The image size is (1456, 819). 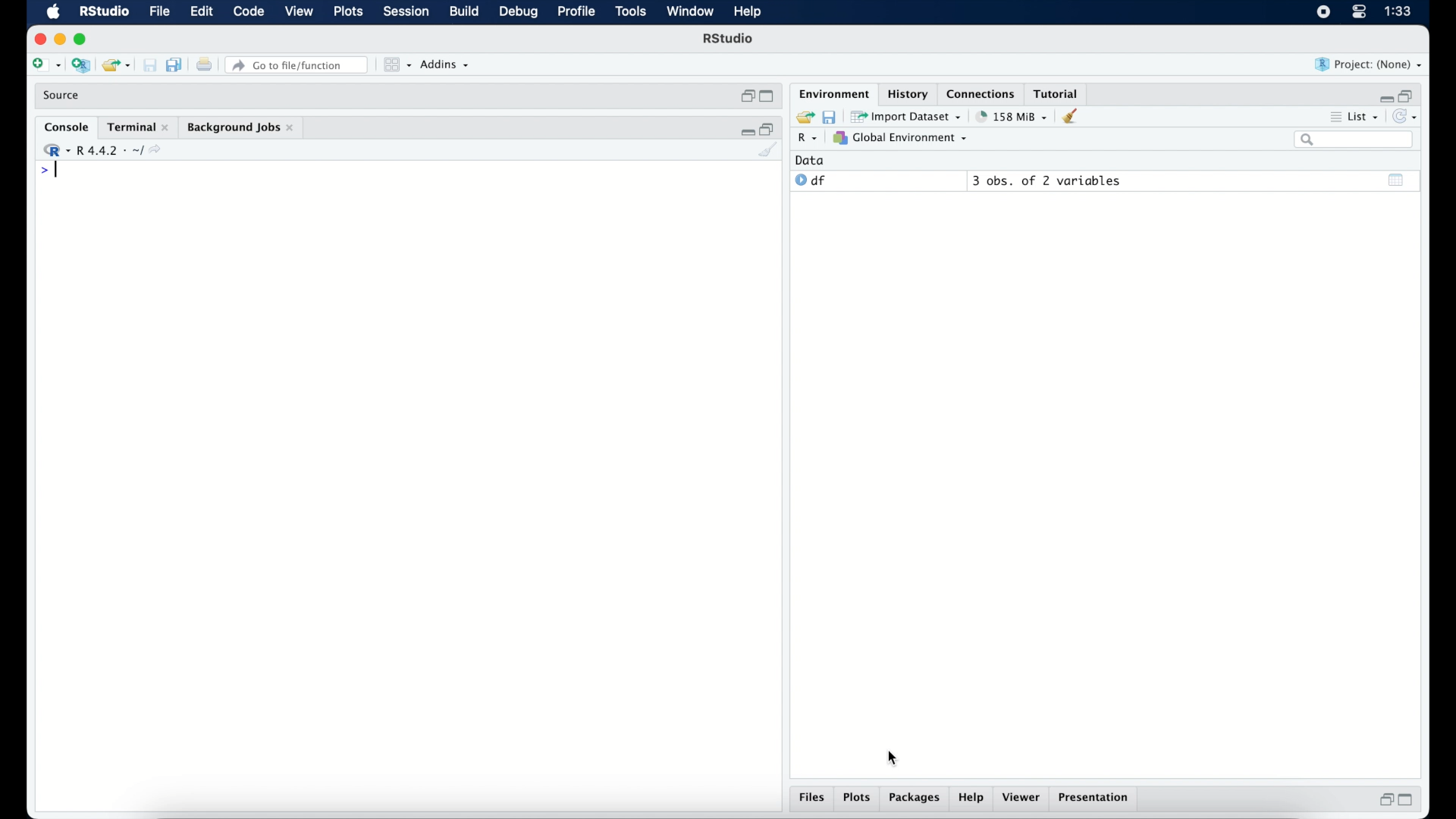 I want to click on save all documents, so click(x=174, y=64).